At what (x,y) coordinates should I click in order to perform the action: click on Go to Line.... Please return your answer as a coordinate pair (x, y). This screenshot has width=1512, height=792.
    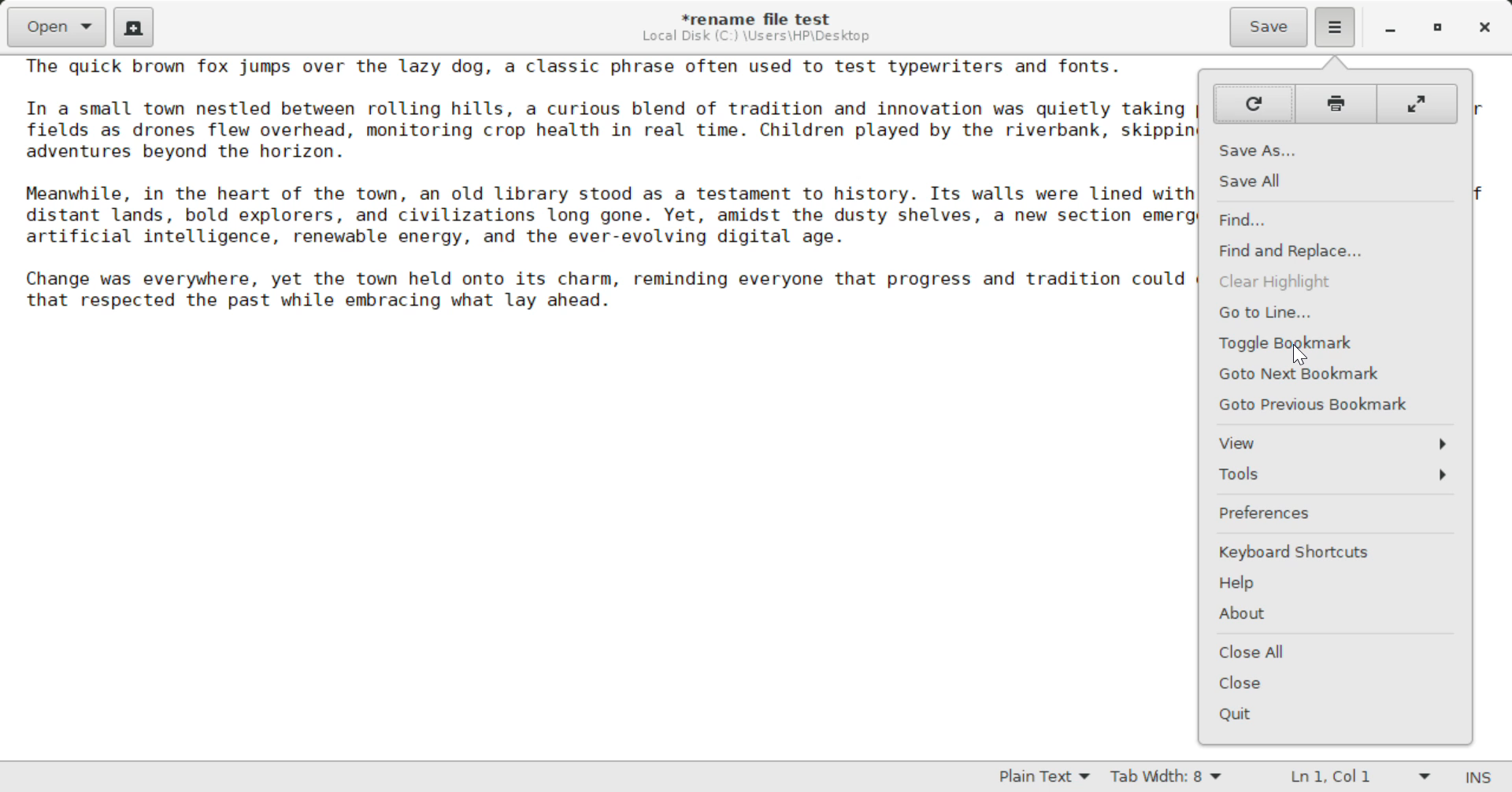
    Looking at the image, I should click on (1329, 314).